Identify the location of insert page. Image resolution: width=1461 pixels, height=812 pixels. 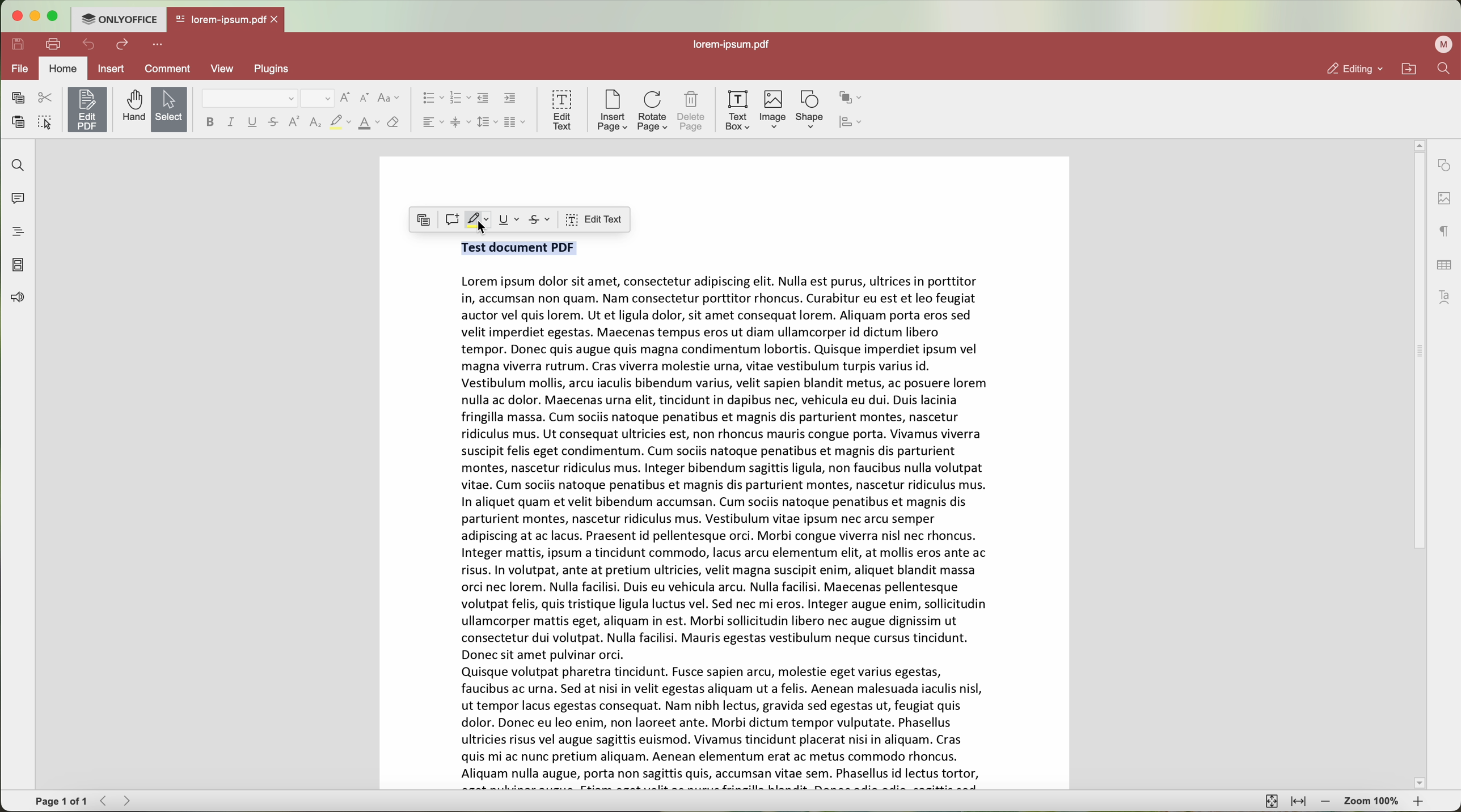
(612, 112).